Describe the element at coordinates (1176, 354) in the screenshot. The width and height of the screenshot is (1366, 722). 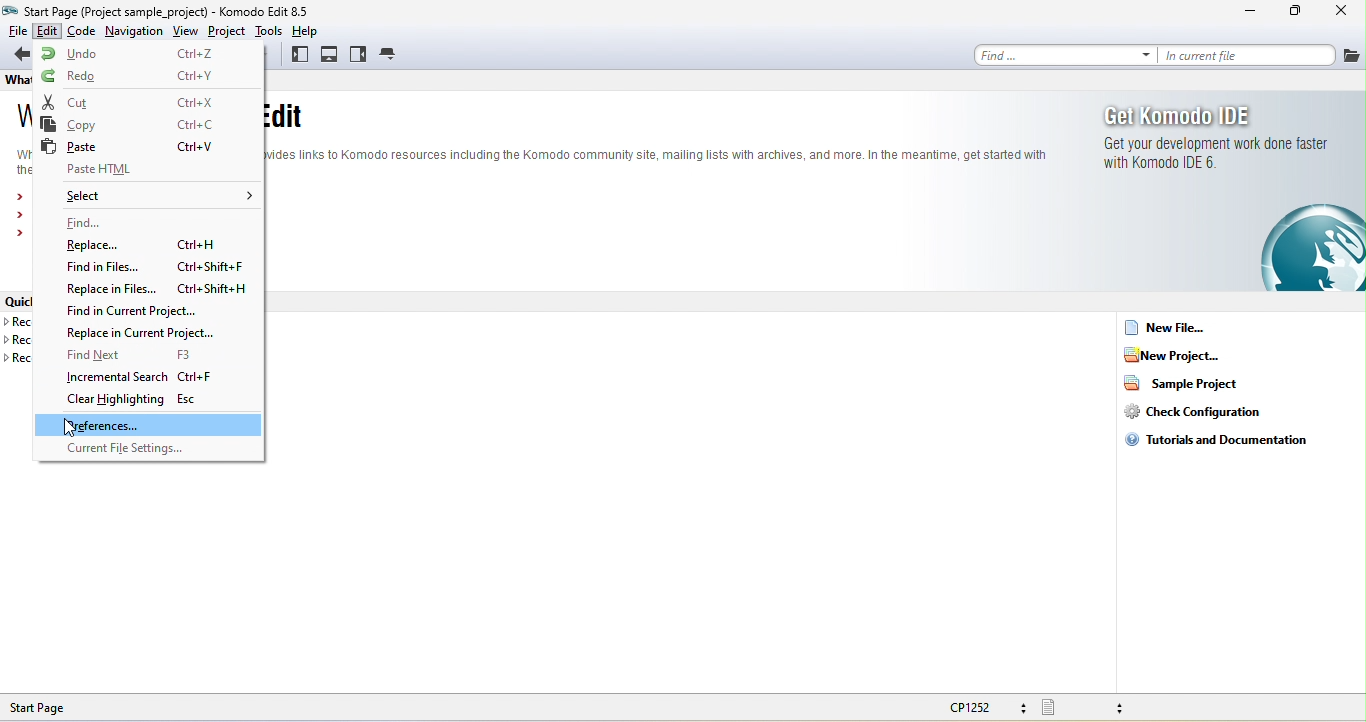
I see `new project` at that location.